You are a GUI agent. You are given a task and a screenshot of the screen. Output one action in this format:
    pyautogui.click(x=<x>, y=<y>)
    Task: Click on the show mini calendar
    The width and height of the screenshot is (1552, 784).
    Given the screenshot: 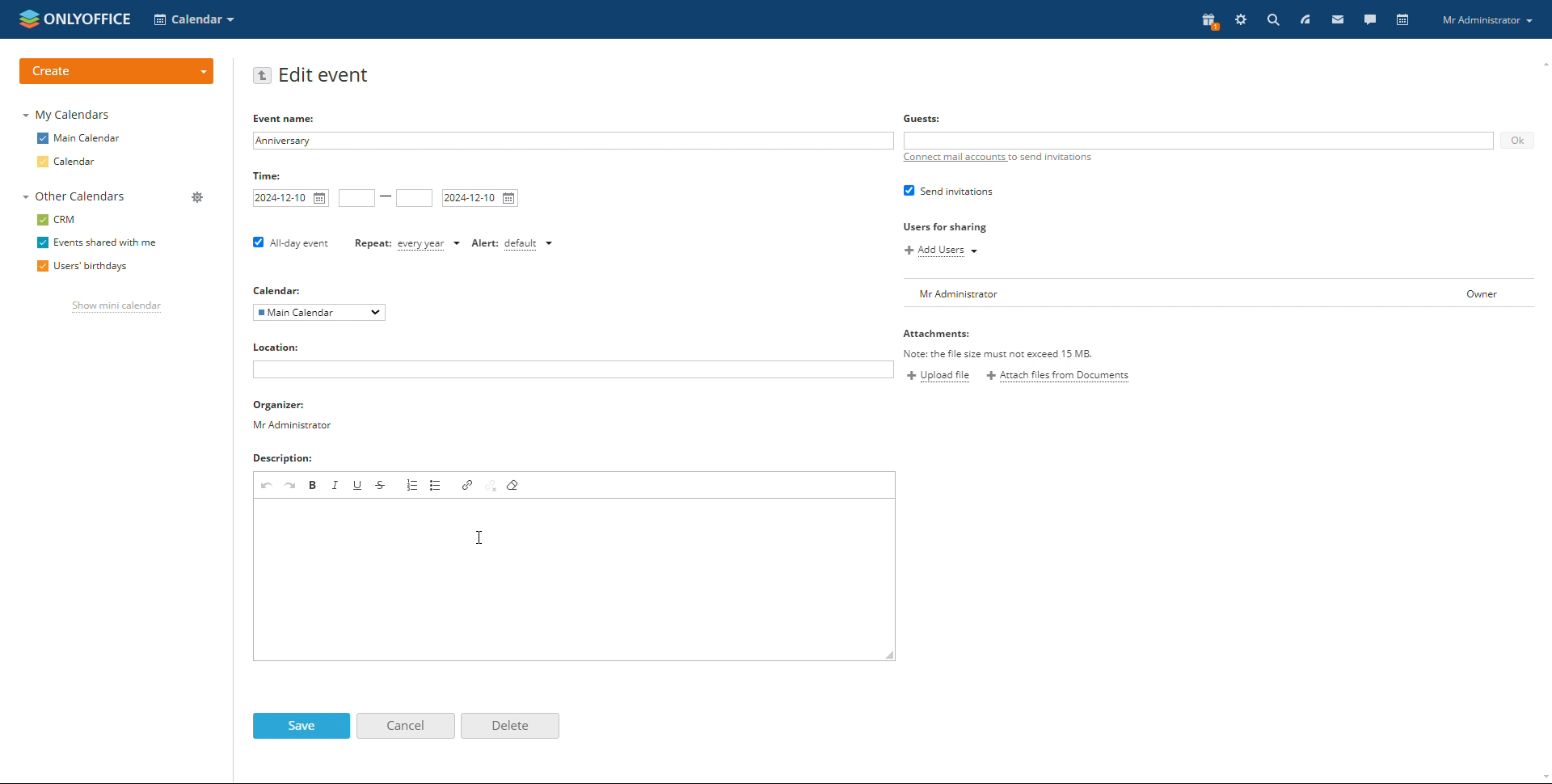 What is the action you would take?
    pyautogui.click(x=115, y=307)
    